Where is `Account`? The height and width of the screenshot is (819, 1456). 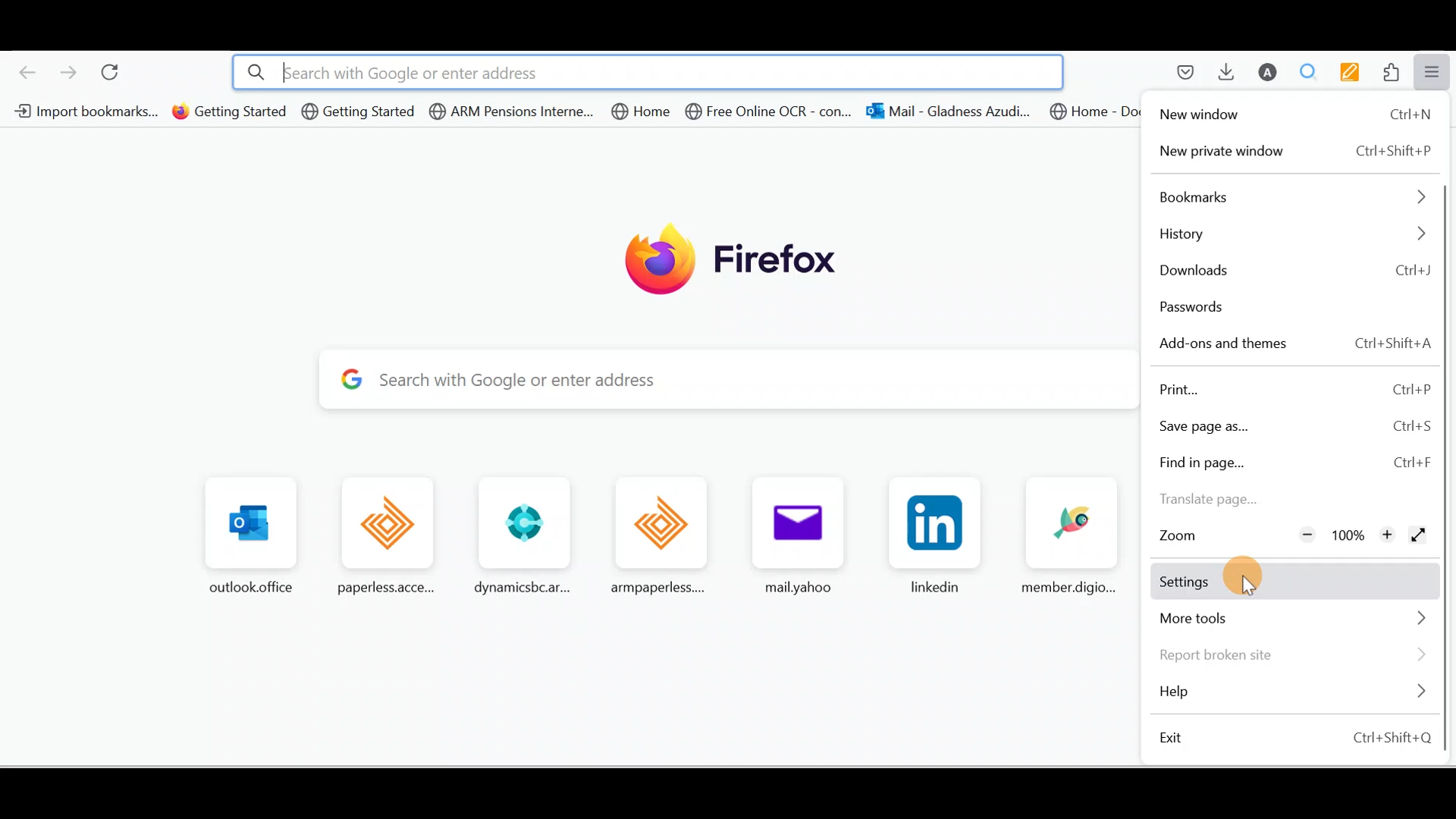
Account is located at coordinates (1267, 70).